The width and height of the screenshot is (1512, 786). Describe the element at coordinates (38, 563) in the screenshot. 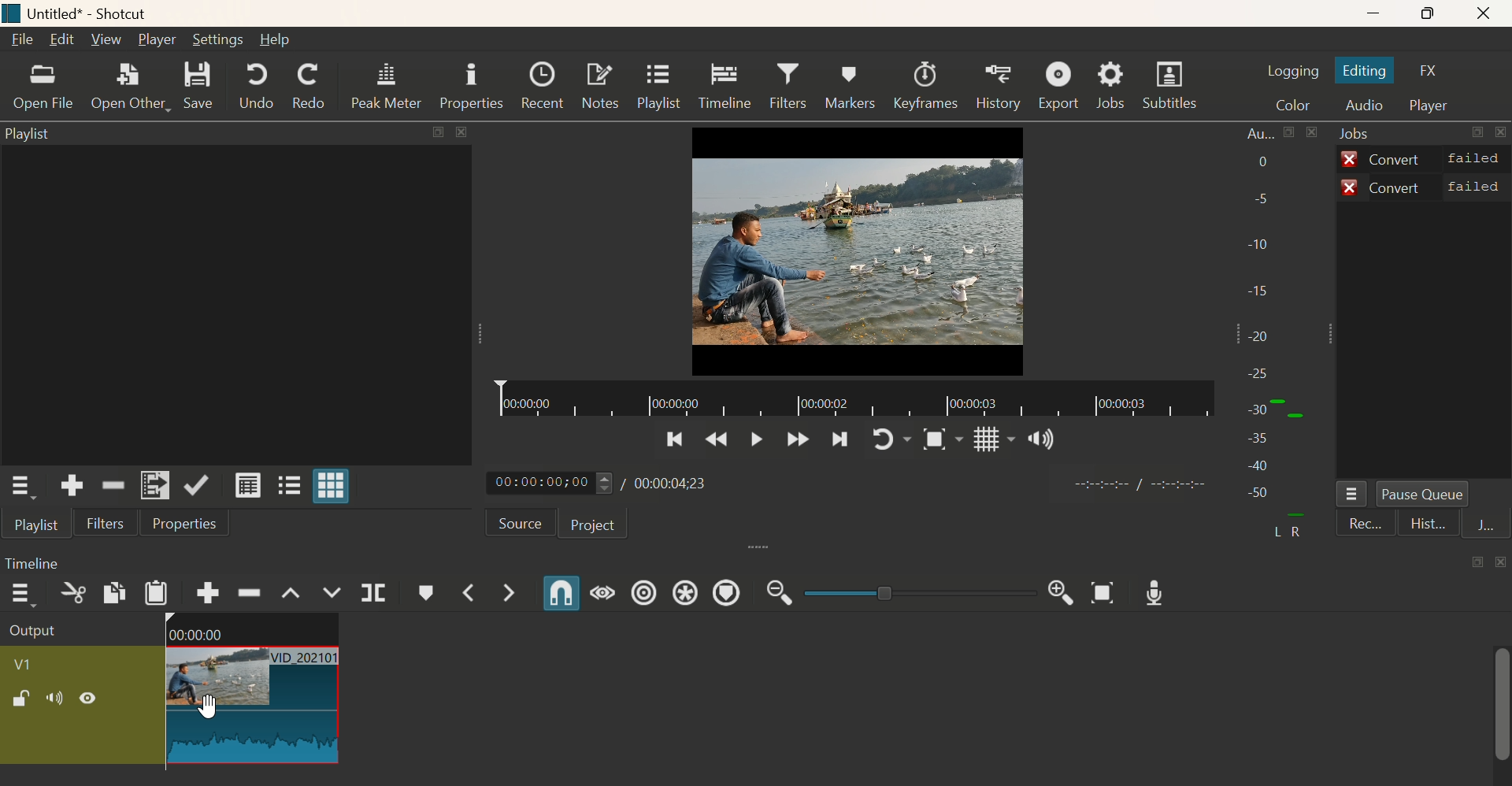

I see `Timeline` at that location.